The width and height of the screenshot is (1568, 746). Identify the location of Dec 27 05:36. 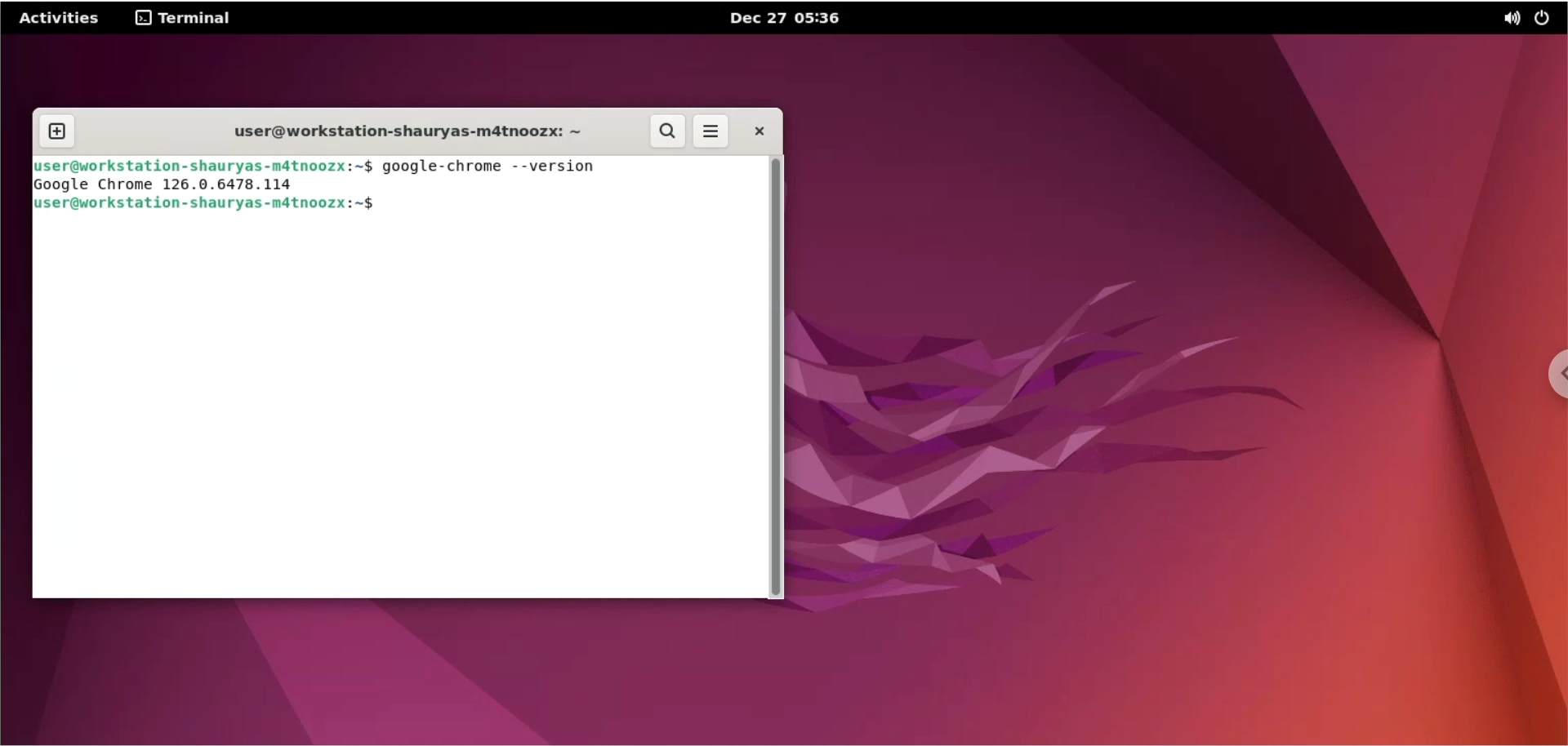
(788, 17).